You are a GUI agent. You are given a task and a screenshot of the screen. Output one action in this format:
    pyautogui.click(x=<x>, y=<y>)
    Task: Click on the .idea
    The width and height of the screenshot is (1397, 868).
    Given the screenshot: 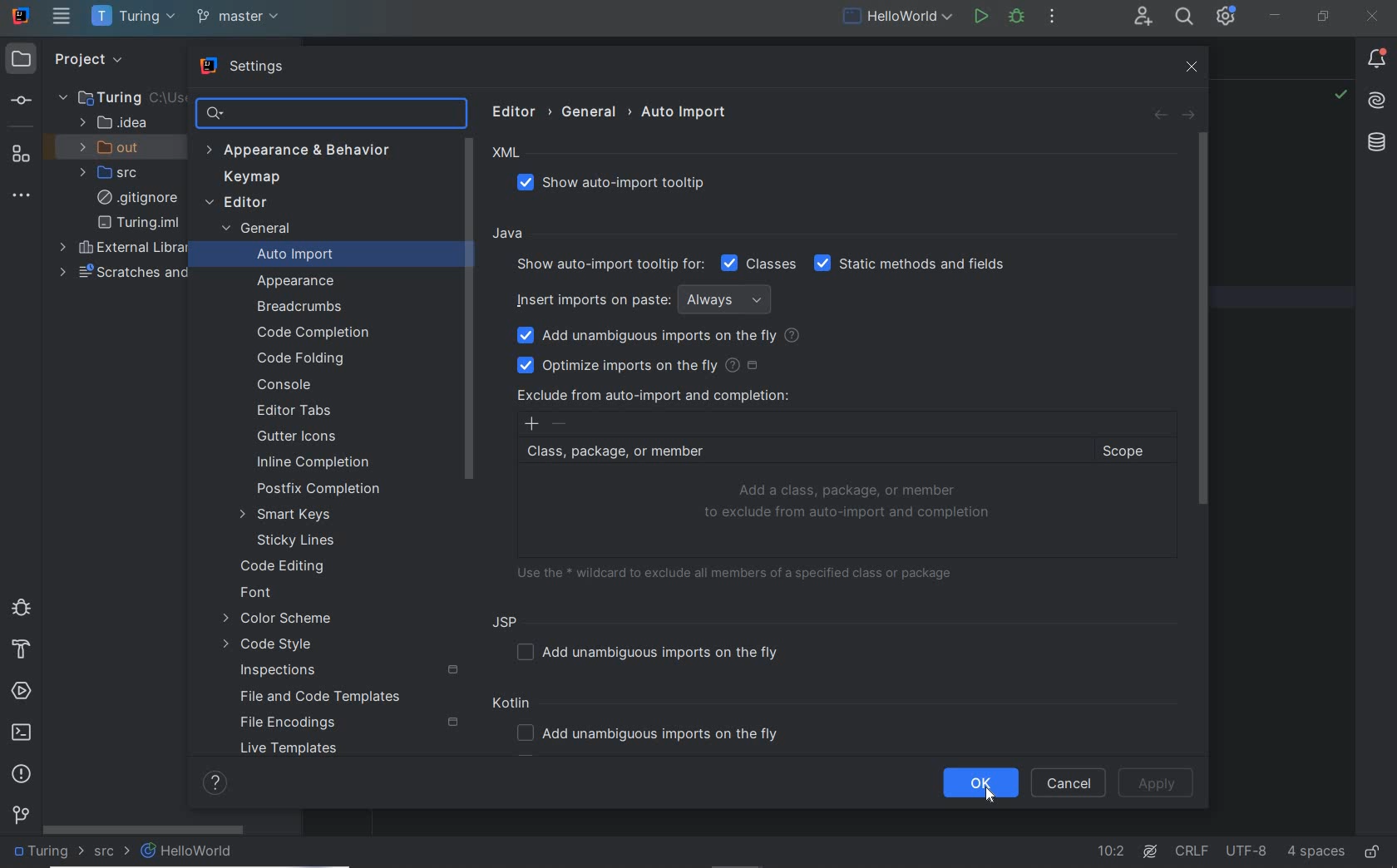 What is the action you would take?
    pyautogui.click(x=114, y=123)
    